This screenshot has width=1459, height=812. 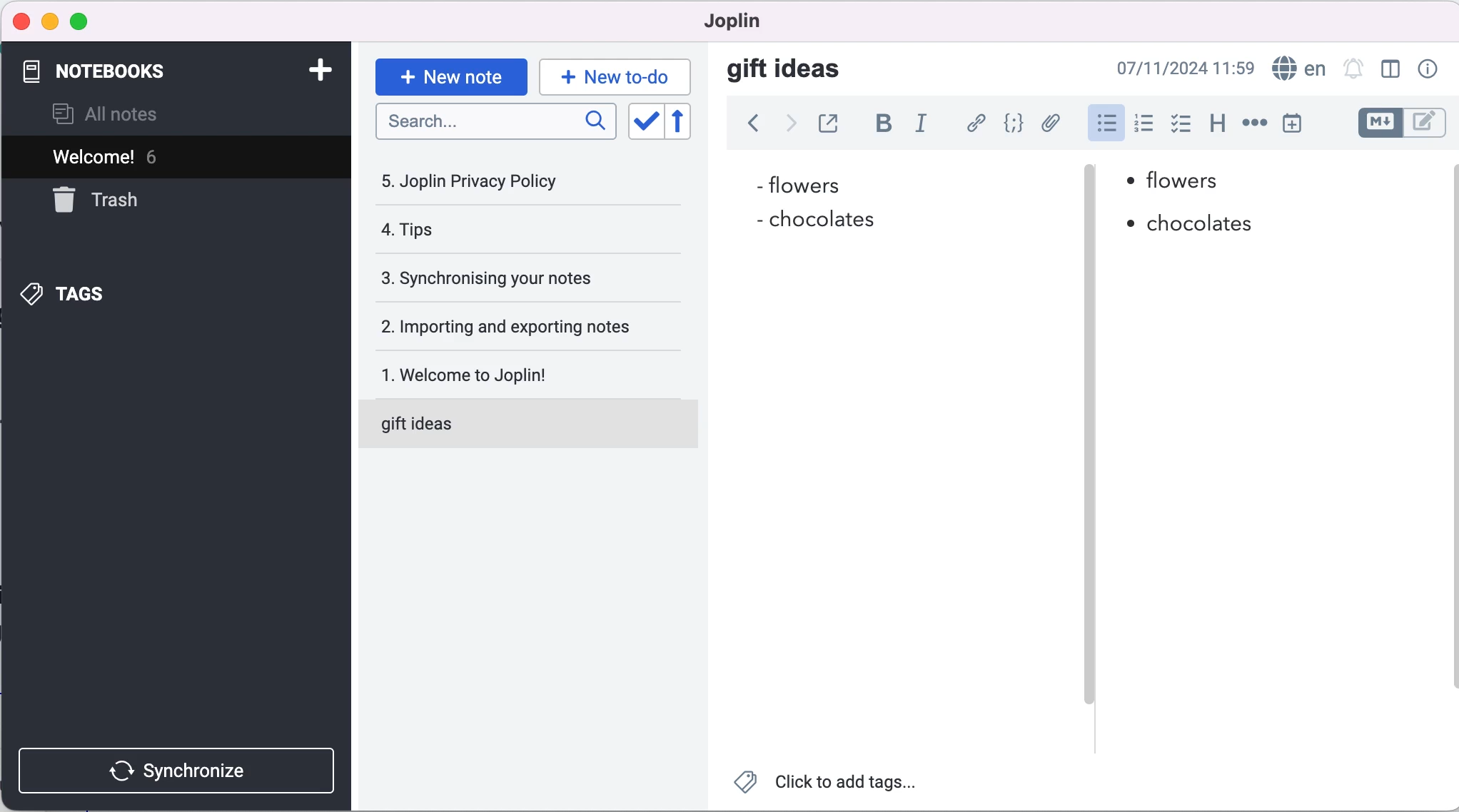 What do you see at coordinates (841, 222) in the screenshot?
I see `chocolates` at bounding box center [841, 222].